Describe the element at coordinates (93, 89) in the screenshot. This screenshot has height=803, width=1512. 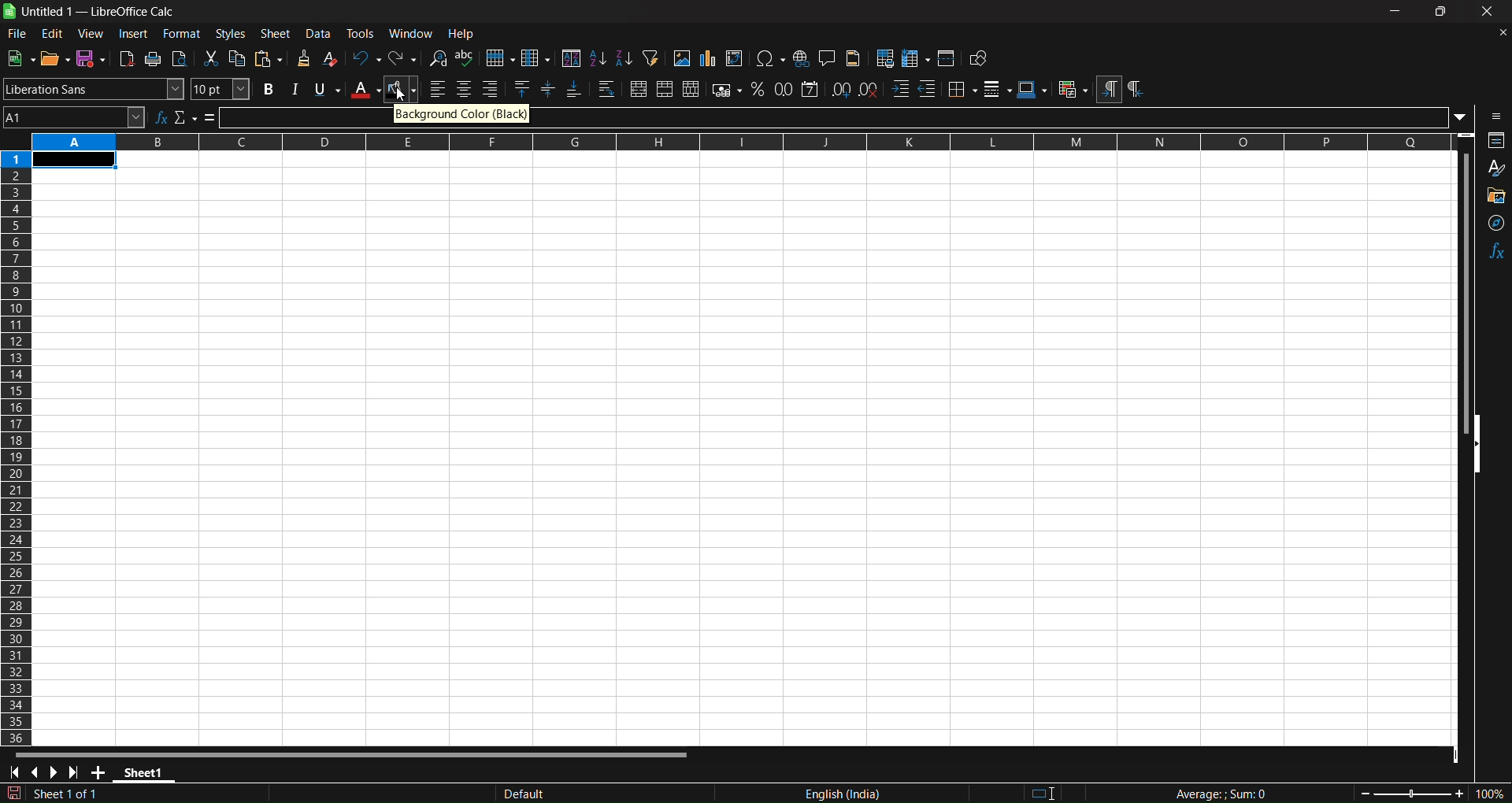
I see `font name` at that location.